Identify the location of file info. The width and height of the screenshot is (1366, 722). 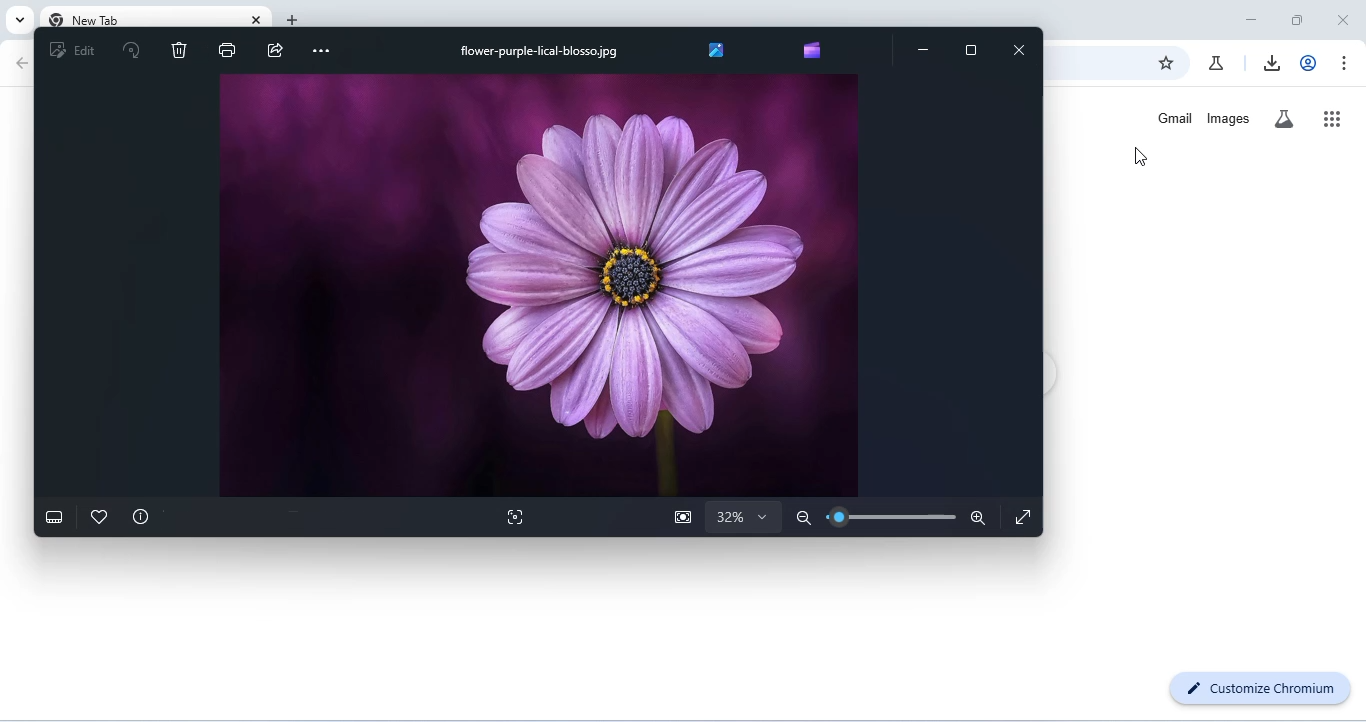
(143, 518).